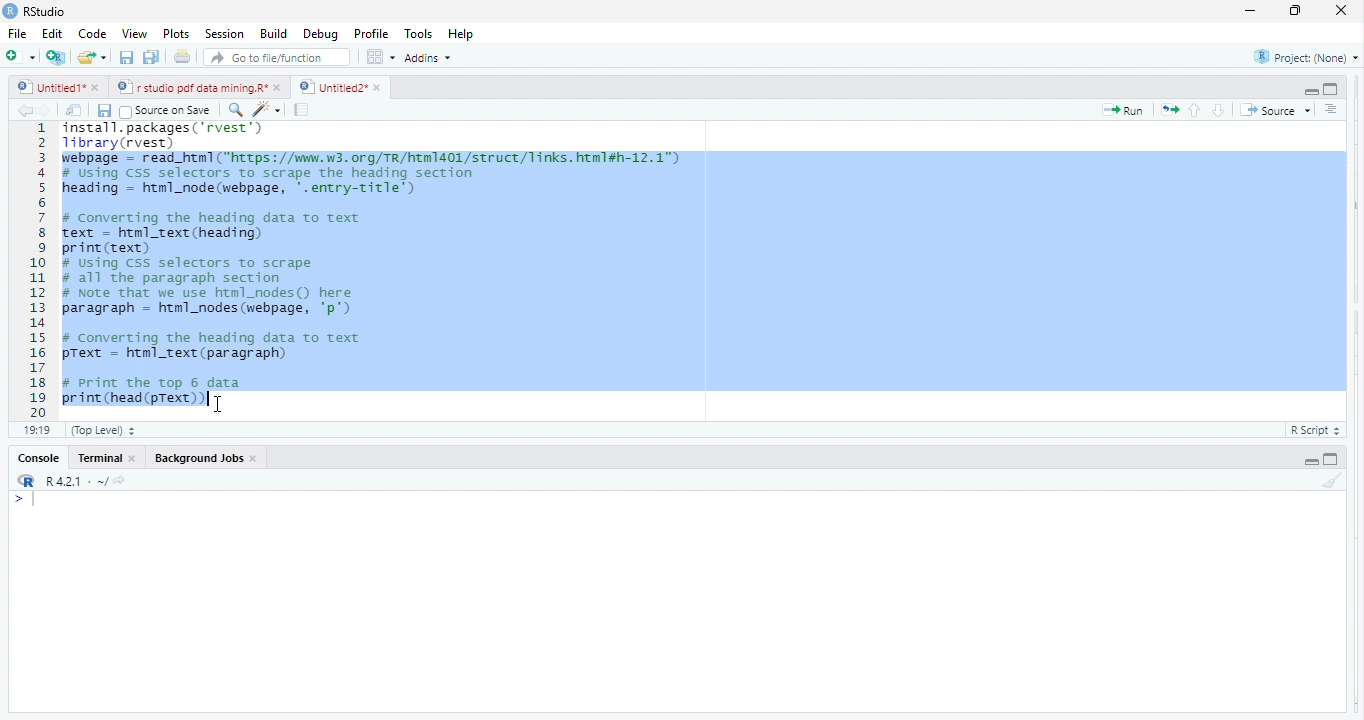 This screenshot has height=720, width=1364. Describe the element at coordinates (98, 89) in the screenshot. I see `close` at that location.